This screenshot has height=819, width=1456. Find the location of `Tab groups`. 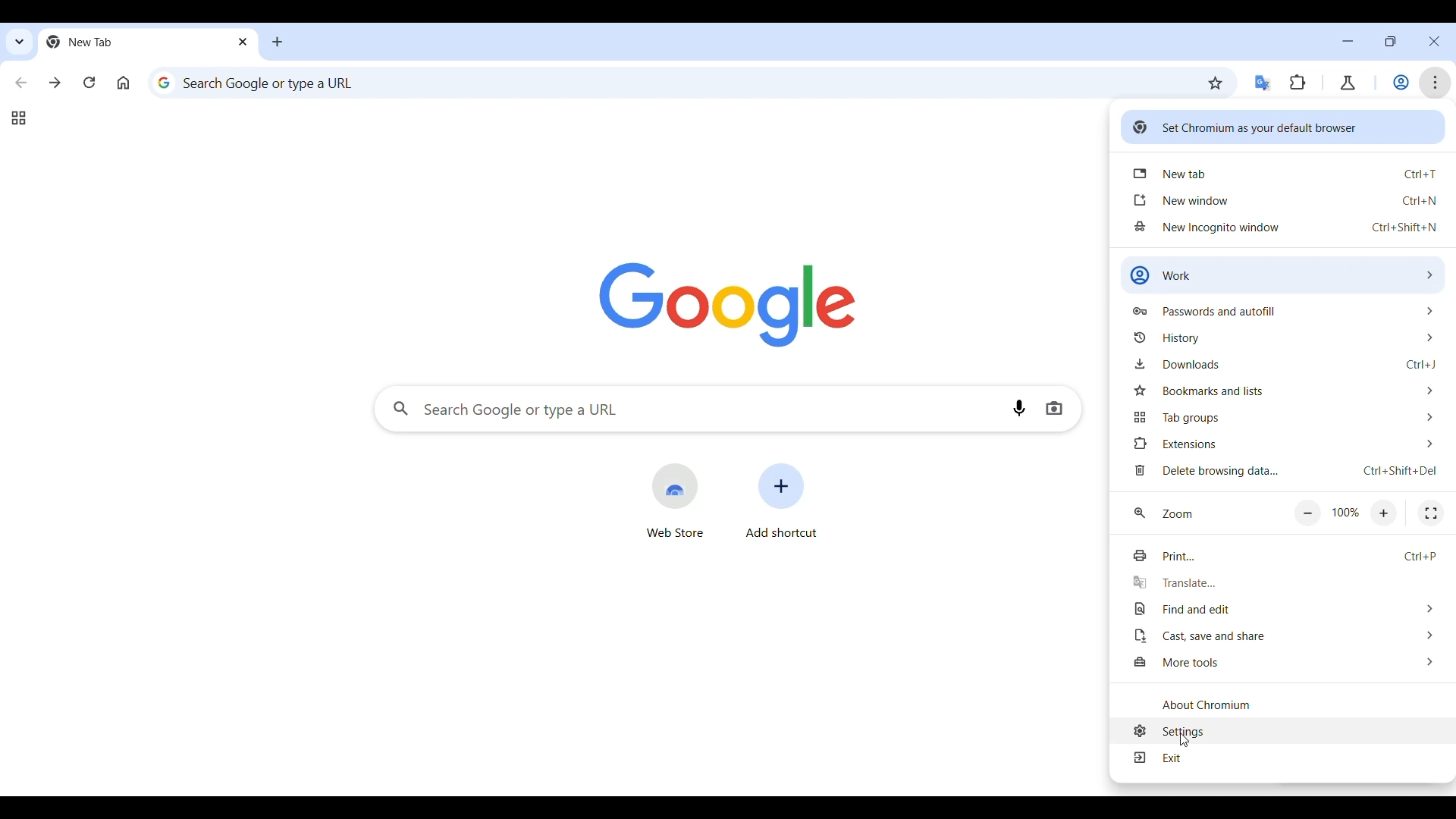

Tab groups is located at coordinates (1284, 417).